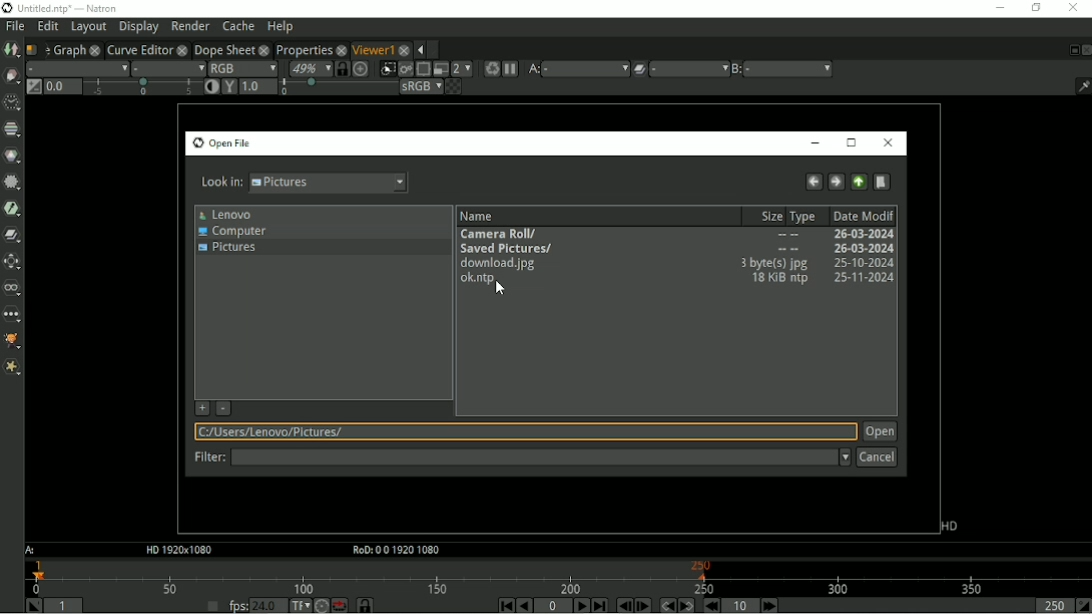 The image size is (1092, 614). What do you see at coordinates (182, 49) in the screenshot?
I see `close` at bounding box center [182, 49].